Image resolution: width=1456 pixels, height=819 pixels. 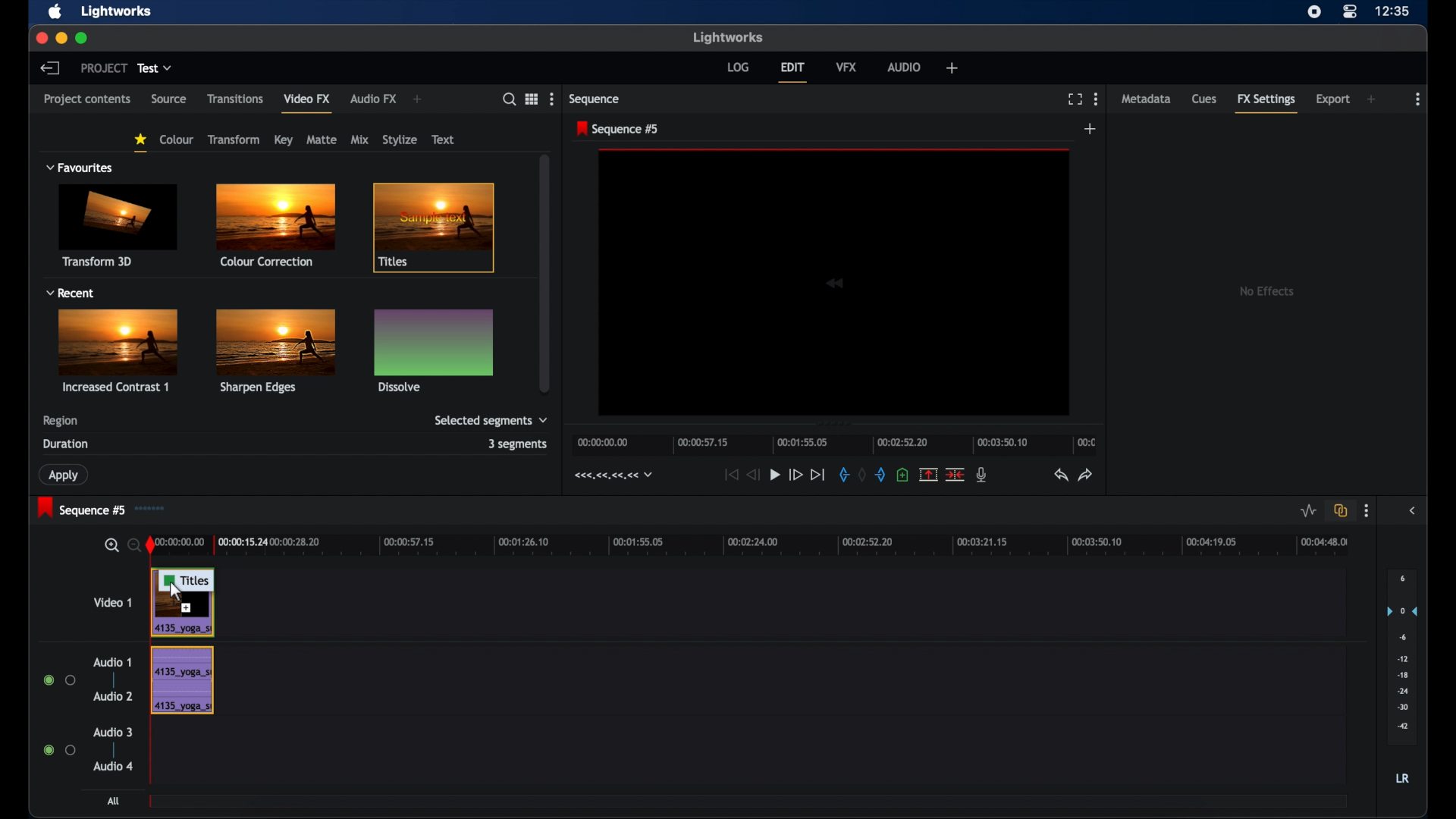 I want to click on search, so click(x=508, y=99).